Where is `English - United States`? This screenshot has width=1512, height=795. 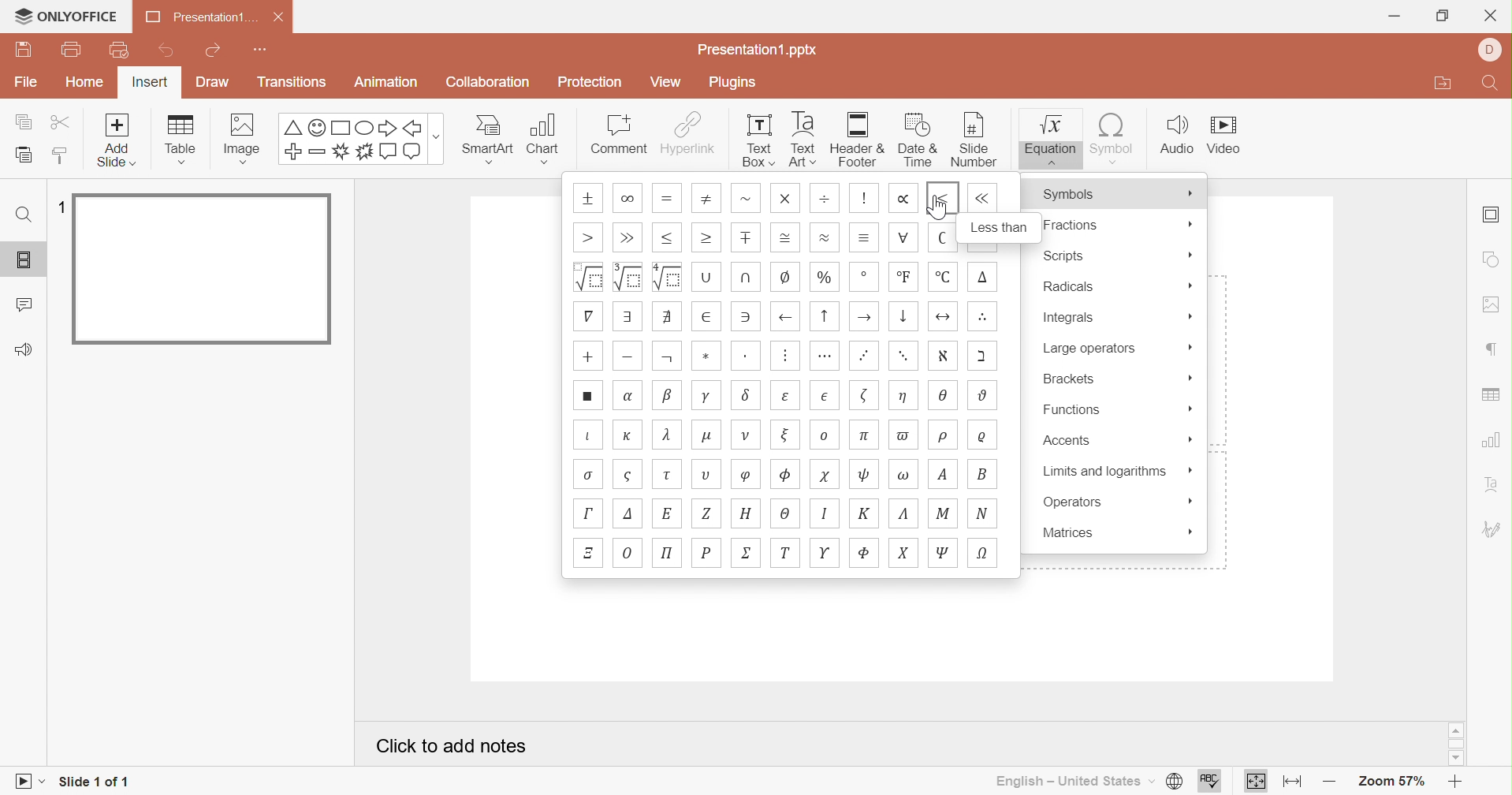
English - United States is located at coordinates (1067, 780).